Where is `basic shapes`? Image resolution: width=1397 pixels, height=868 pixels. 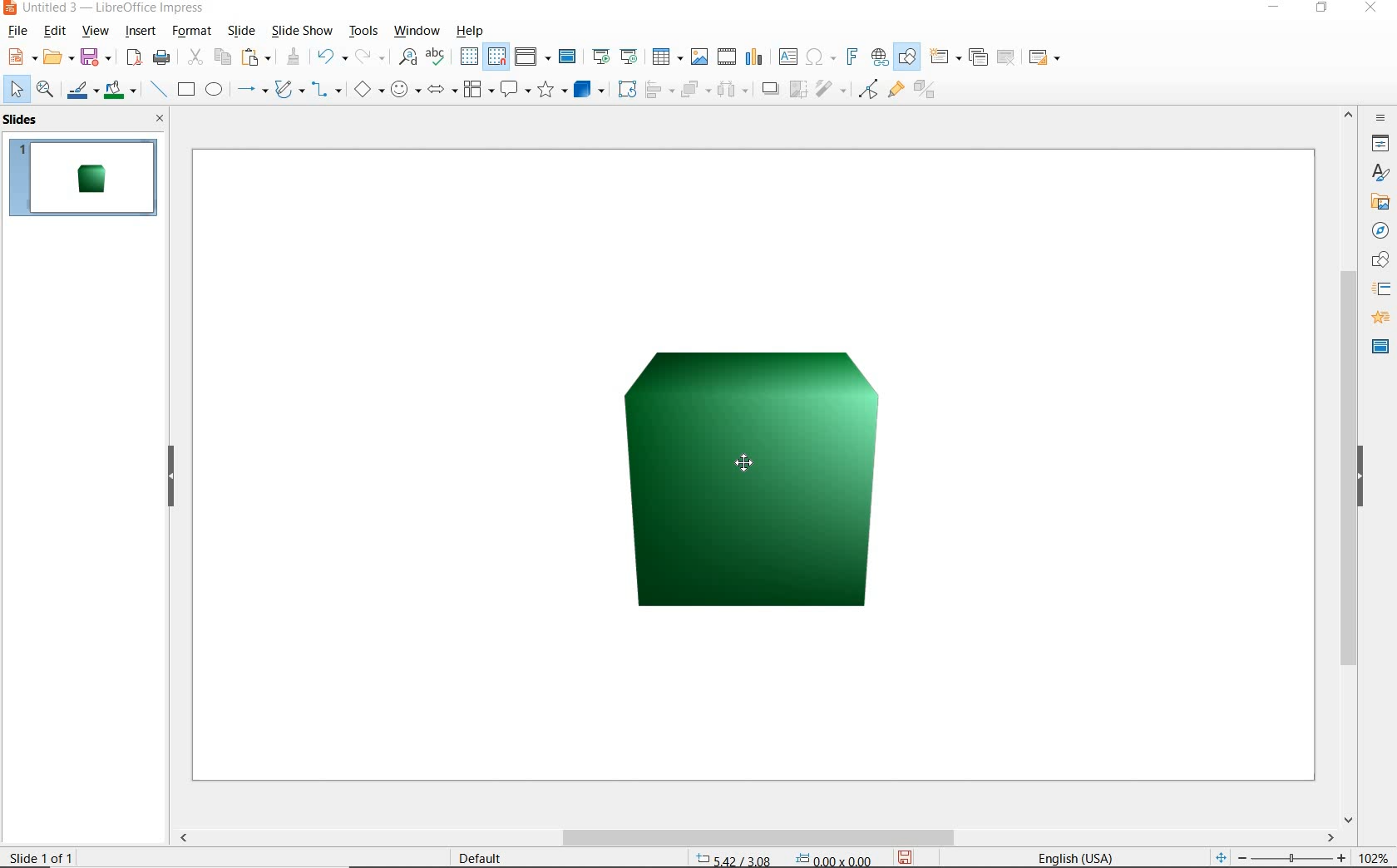 basic shapes is located at coordinates (371, 88).